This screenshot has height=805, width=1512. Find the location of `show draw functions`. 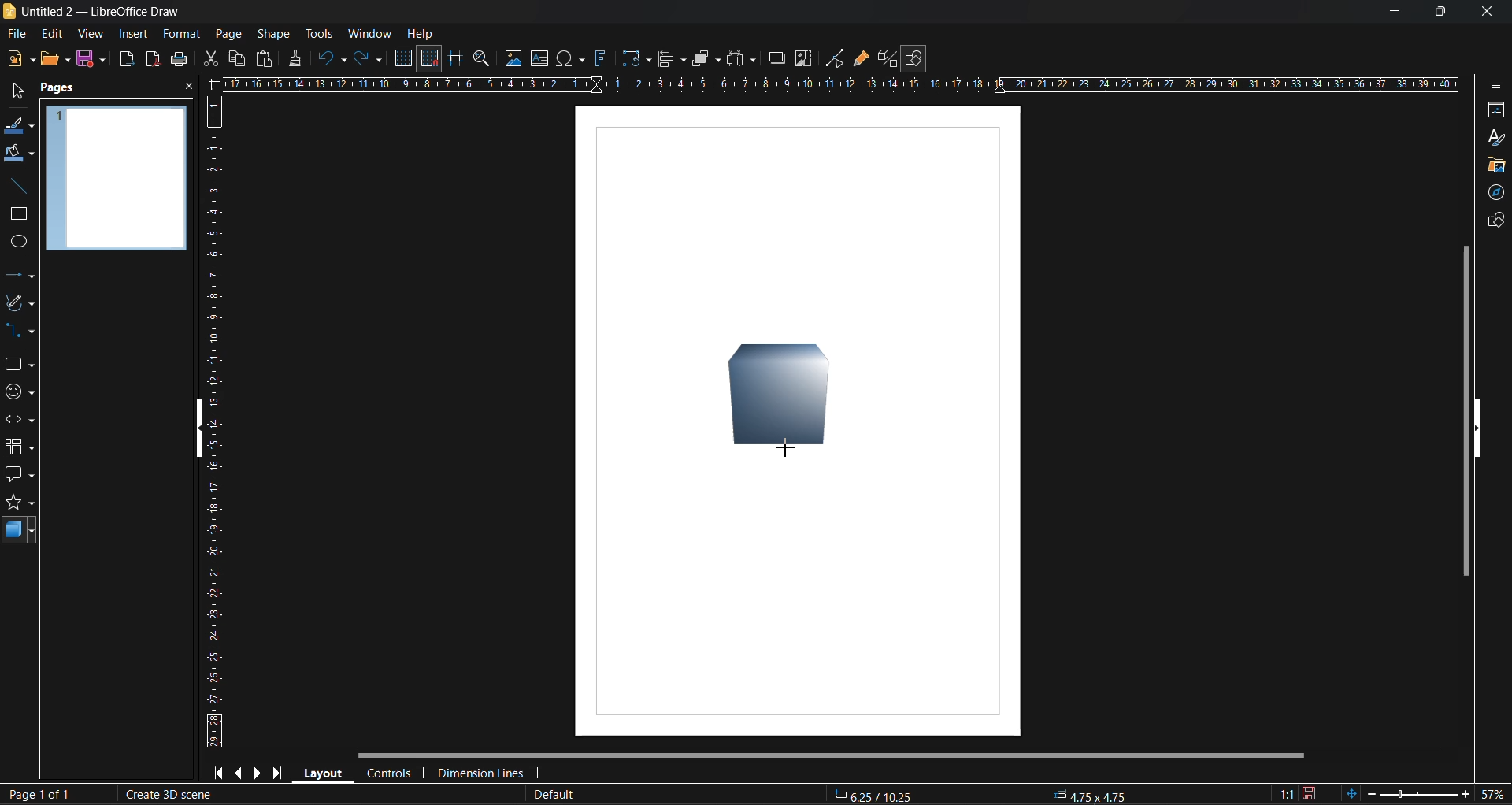

show draw functions is located at coordinates (917, 59).